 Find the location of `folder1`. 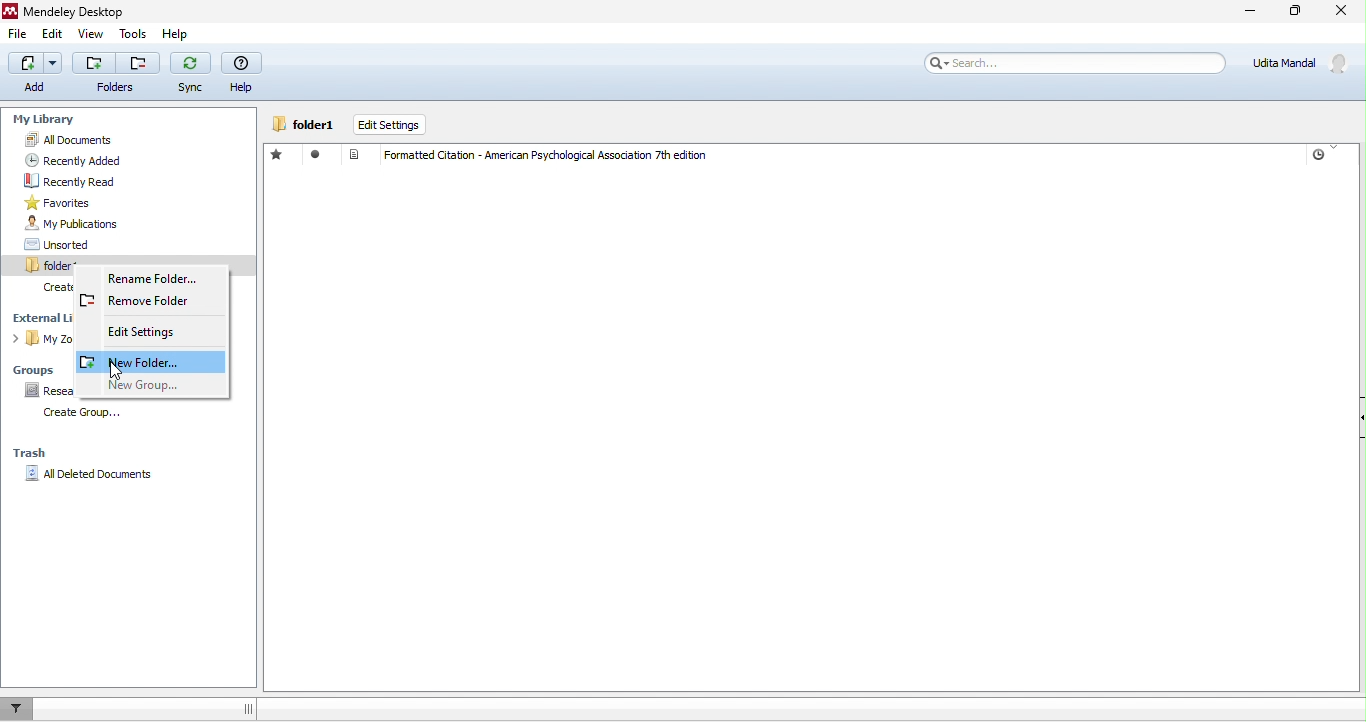

folder1 is located at coordinates (39, 265).